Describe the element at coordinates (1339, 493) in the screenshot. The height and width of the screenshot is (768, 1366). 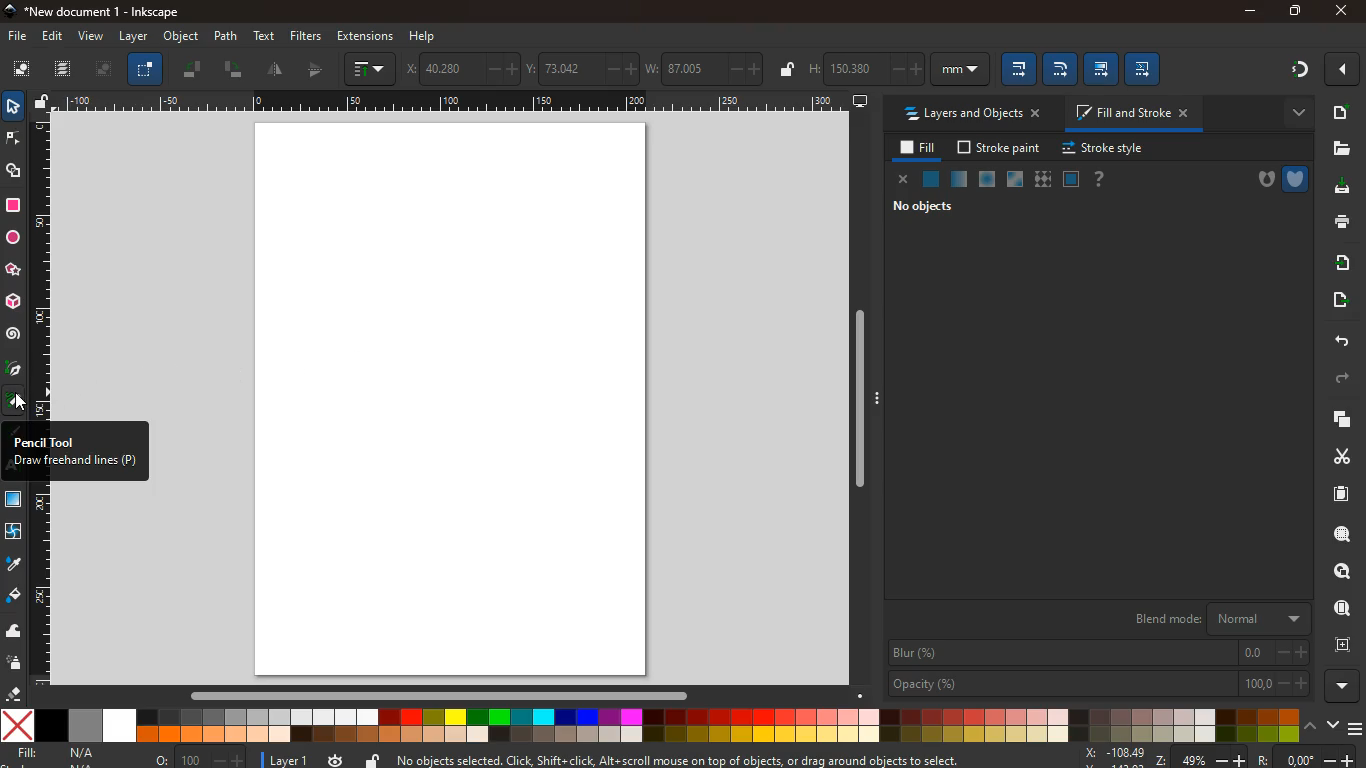
I see `paper` at that location.